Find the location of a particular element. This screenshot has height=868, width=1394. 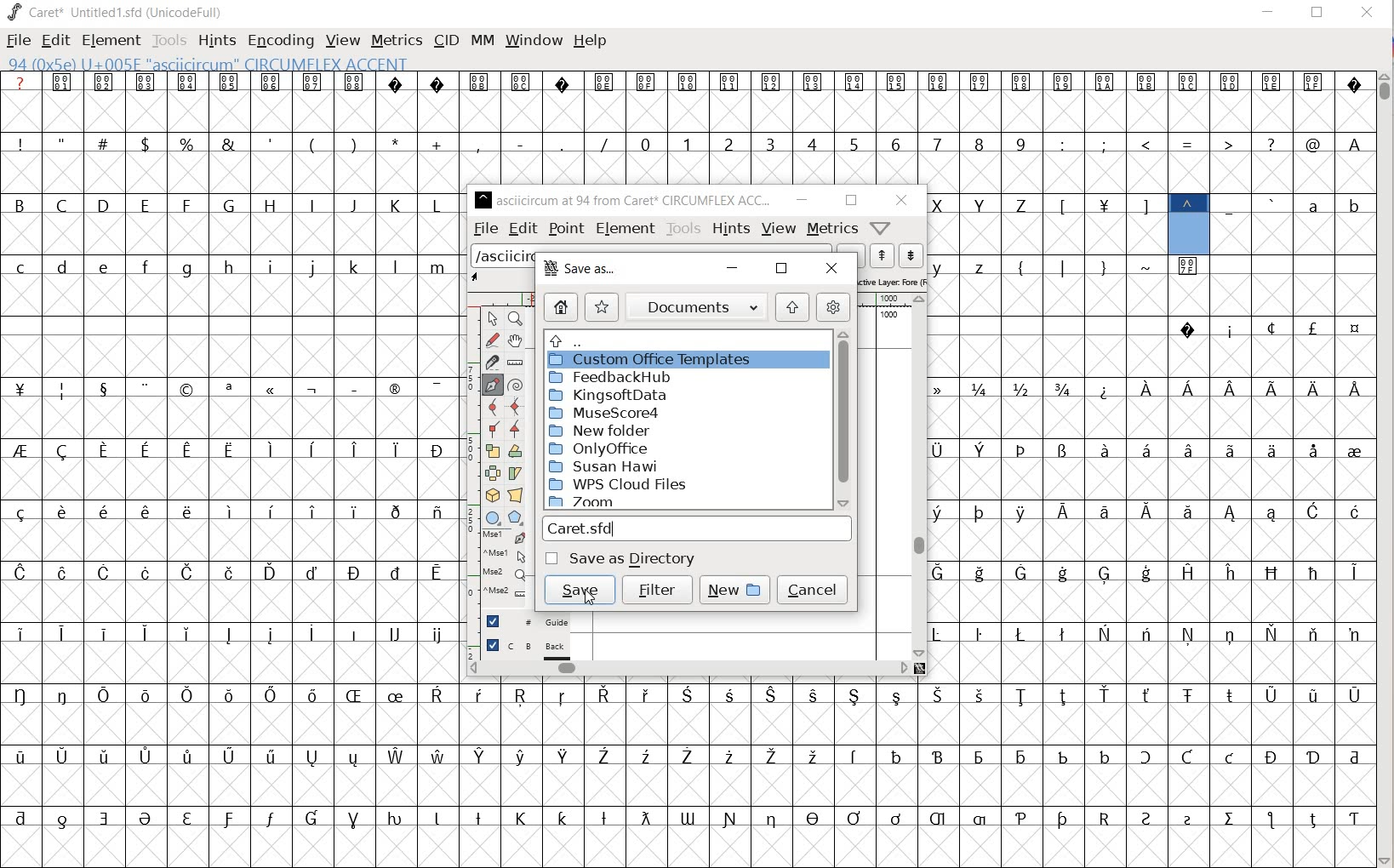

skew the selection is located at coordinates (515, 474).